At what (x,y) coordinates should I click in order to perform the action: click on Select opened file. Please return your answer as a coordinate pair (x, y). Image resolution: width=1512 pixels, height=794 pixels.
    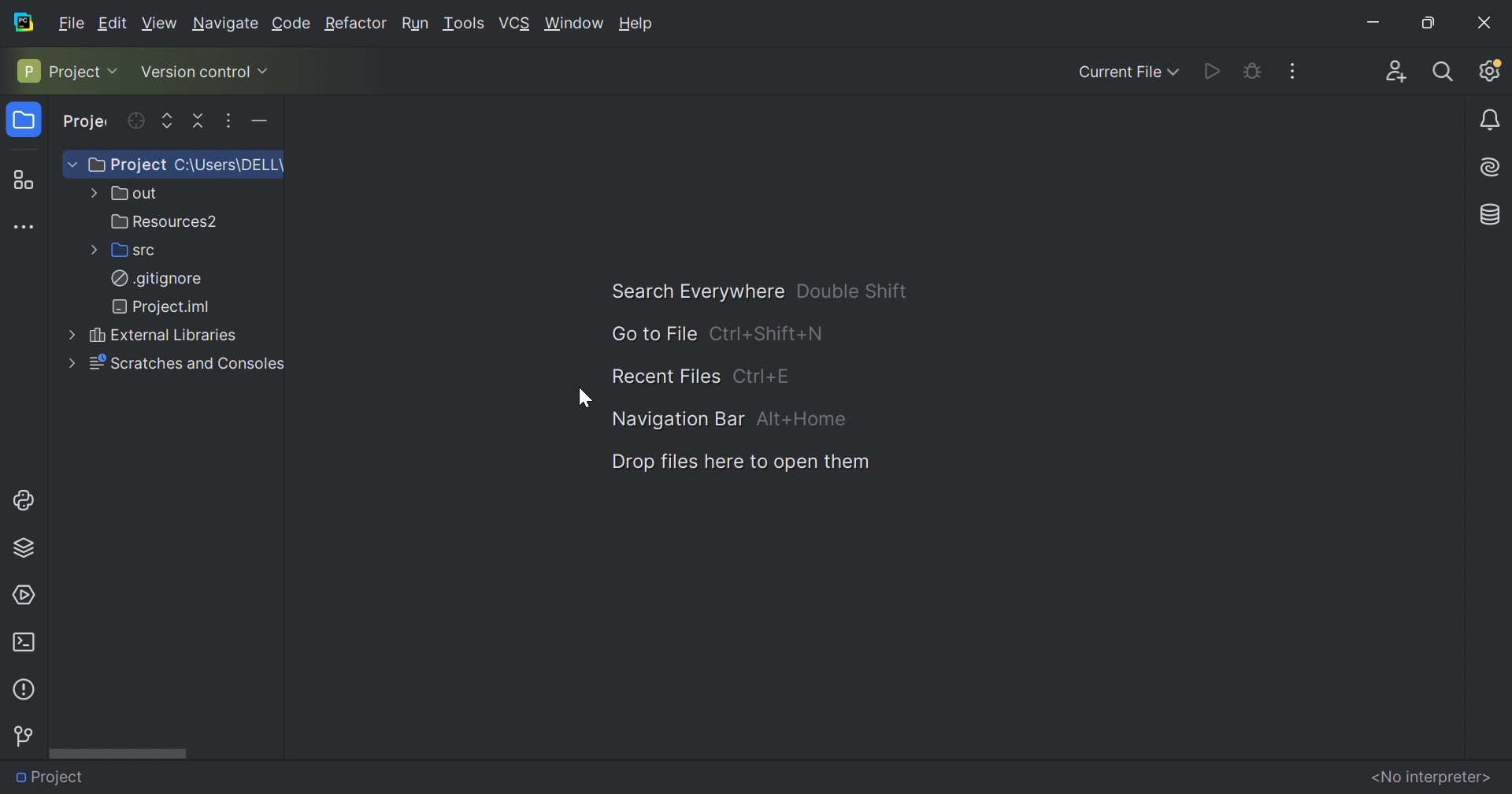
    Looking at the image, I should click on (135, 121).